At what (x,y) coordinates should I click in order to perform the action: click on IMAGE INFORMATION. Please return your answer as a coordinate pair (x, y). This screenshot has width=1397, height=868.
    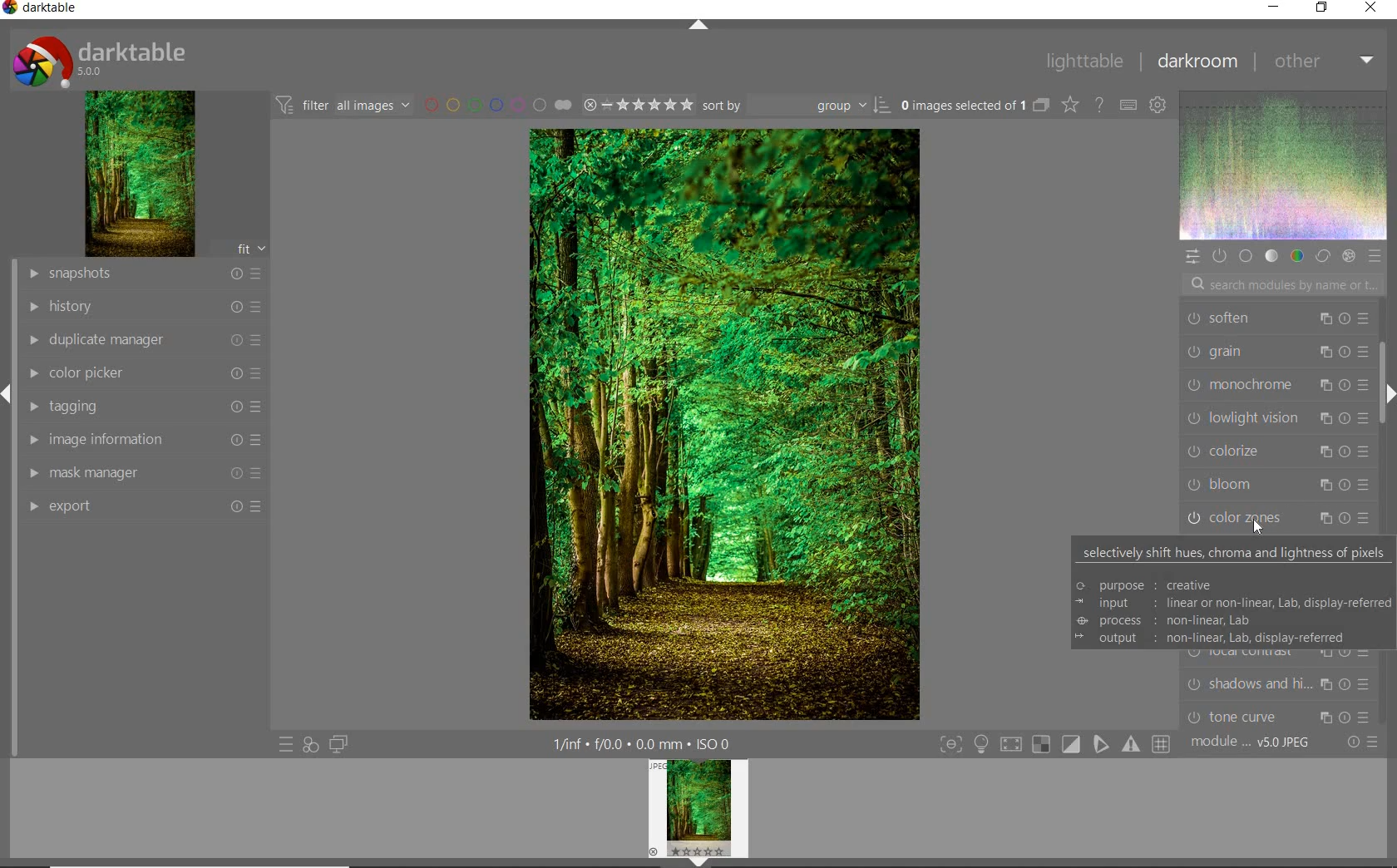
    Looking at the image, I should click on (146, 441).